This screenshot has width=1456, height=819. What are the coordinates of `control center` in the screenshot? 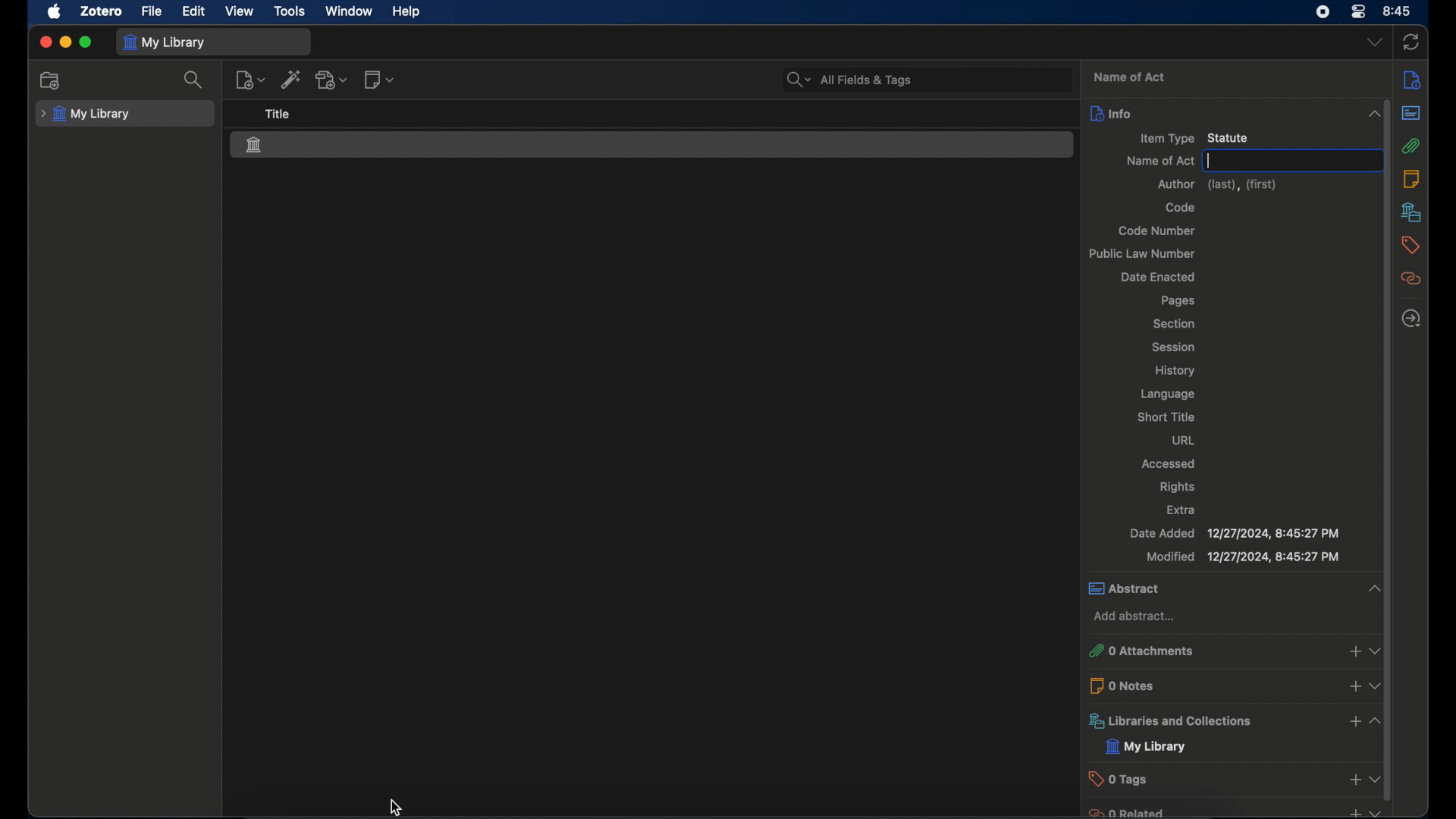 It's located at (1323, 12).